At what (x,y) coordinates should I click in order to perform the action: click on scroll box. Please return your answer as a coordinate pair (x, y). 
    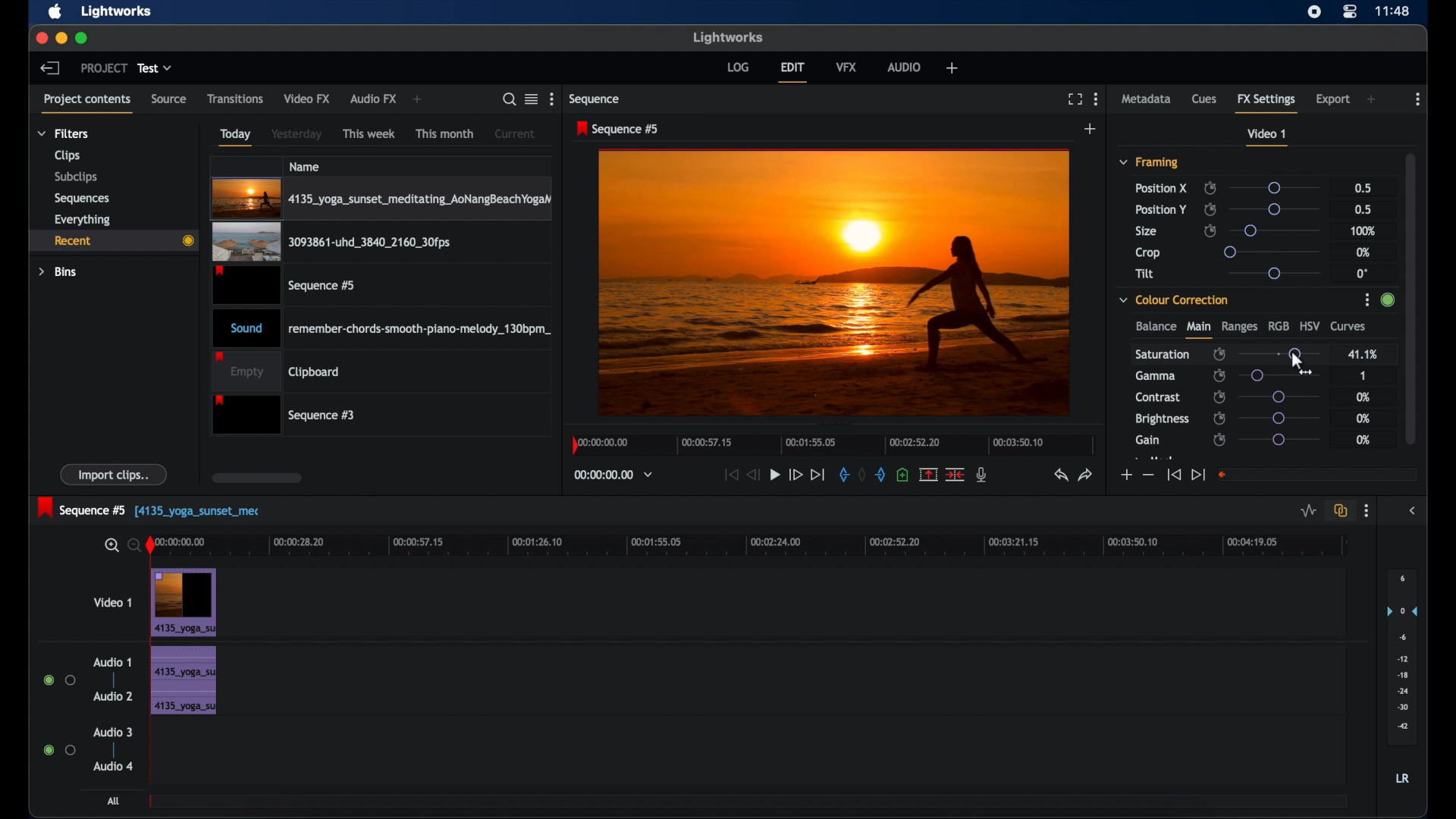
    Looking at the image, I should click on (1411, 297).